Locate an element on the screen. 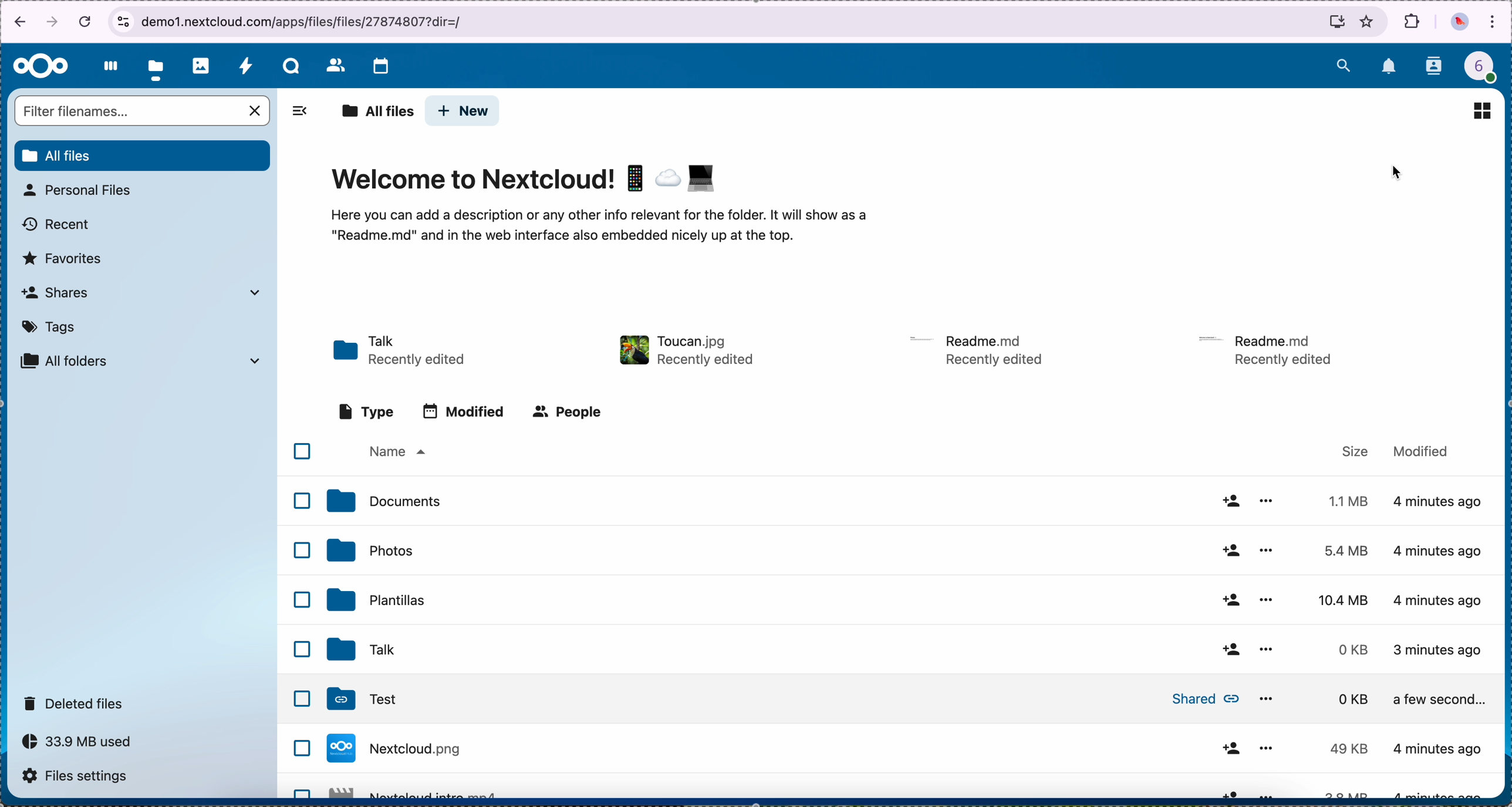 The image size is (1512, 807). photos is located at coordinates (369, 550).